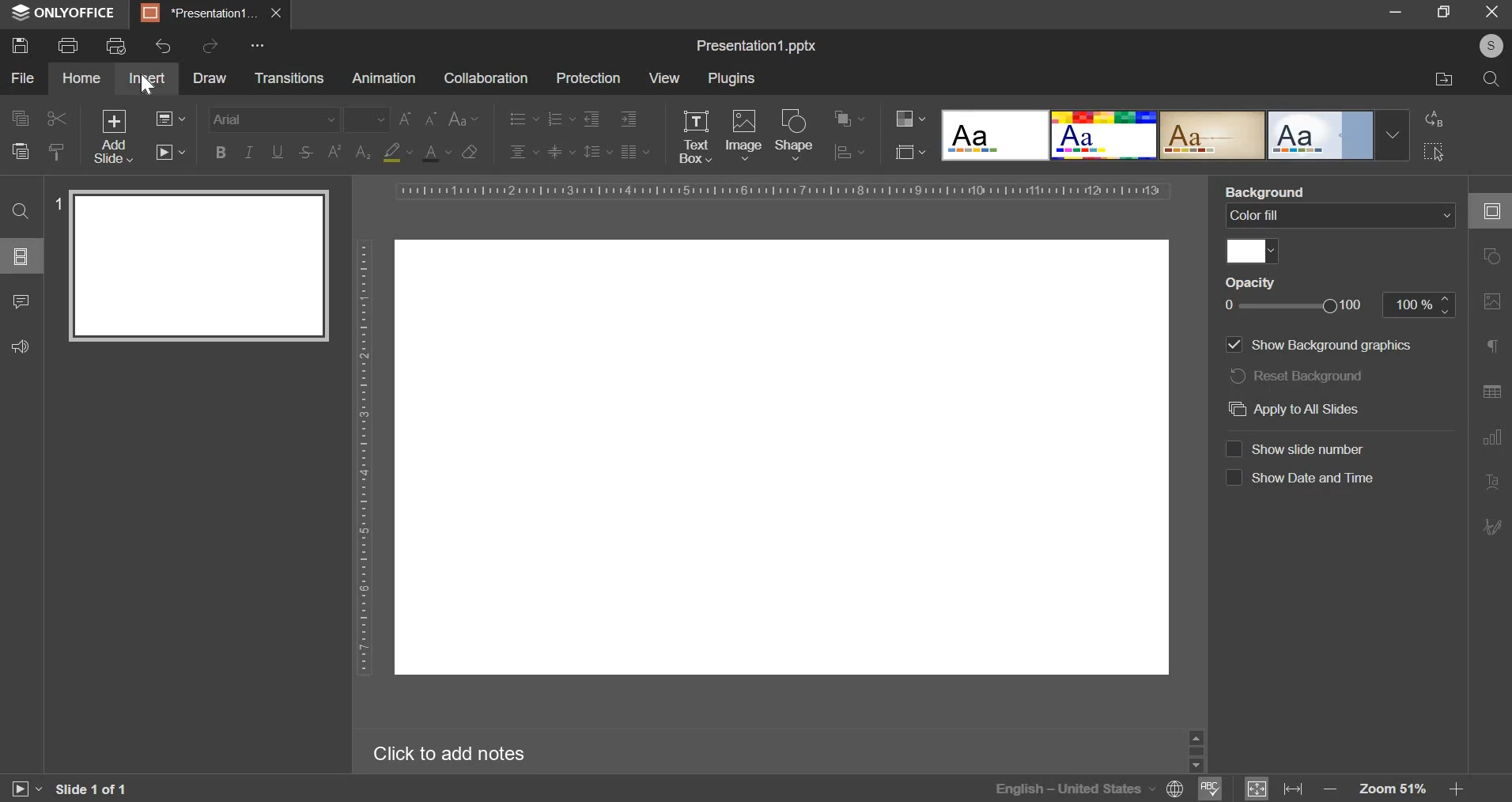 This screenshot has width=1512, height=802. I want to click on font, so click(274, 119).